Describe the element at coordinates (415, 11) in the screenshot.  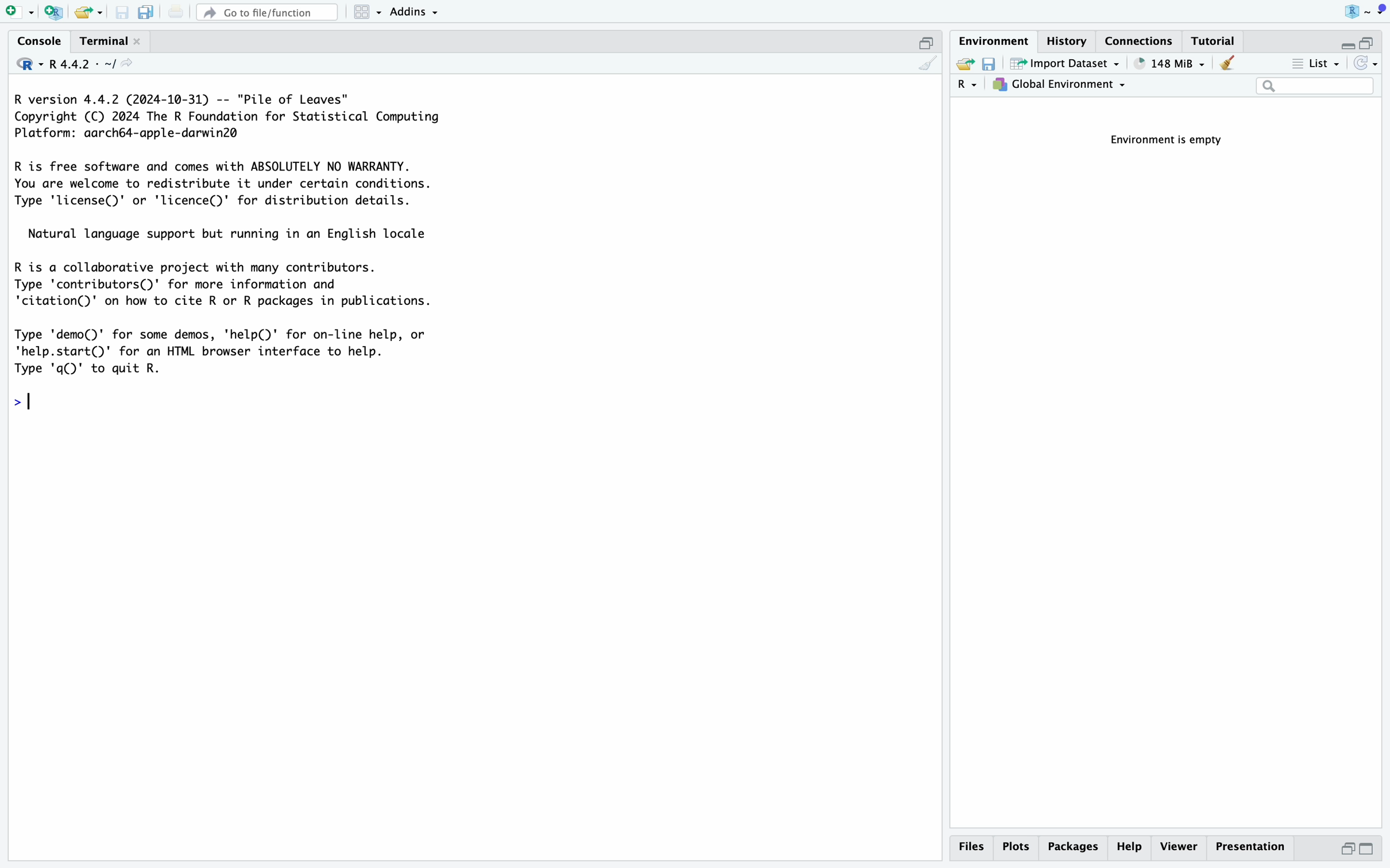
I see `addins` at that location.